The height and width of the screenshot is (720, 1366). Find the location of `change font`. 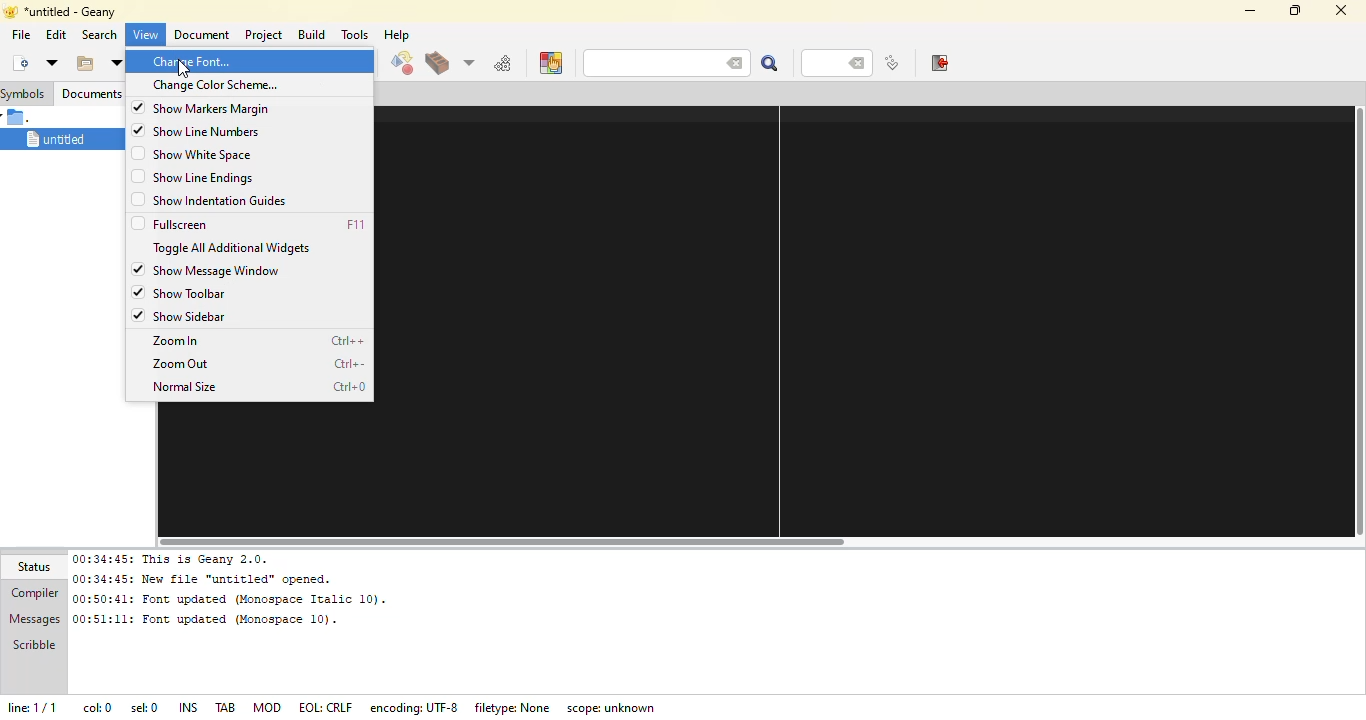

change font is located at coordinates (192, 61).